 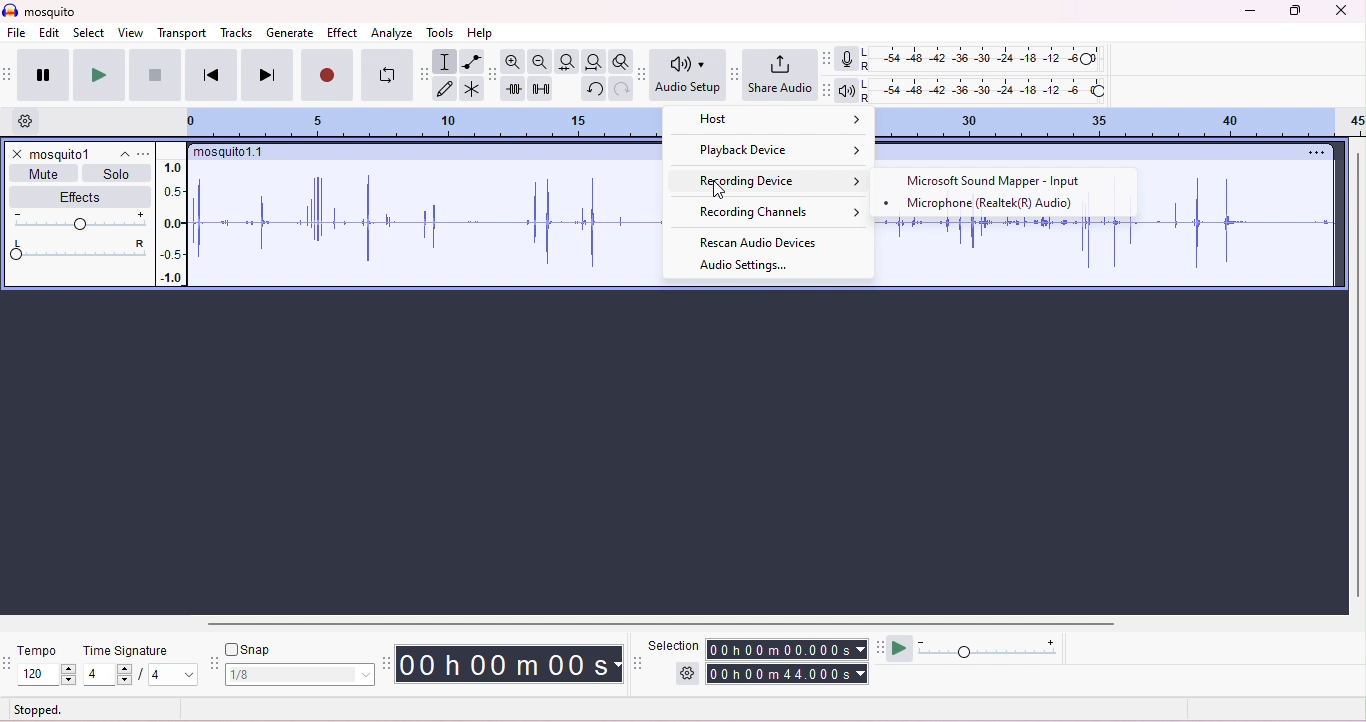 I want to click on time tool, so click(x=388, y=663).